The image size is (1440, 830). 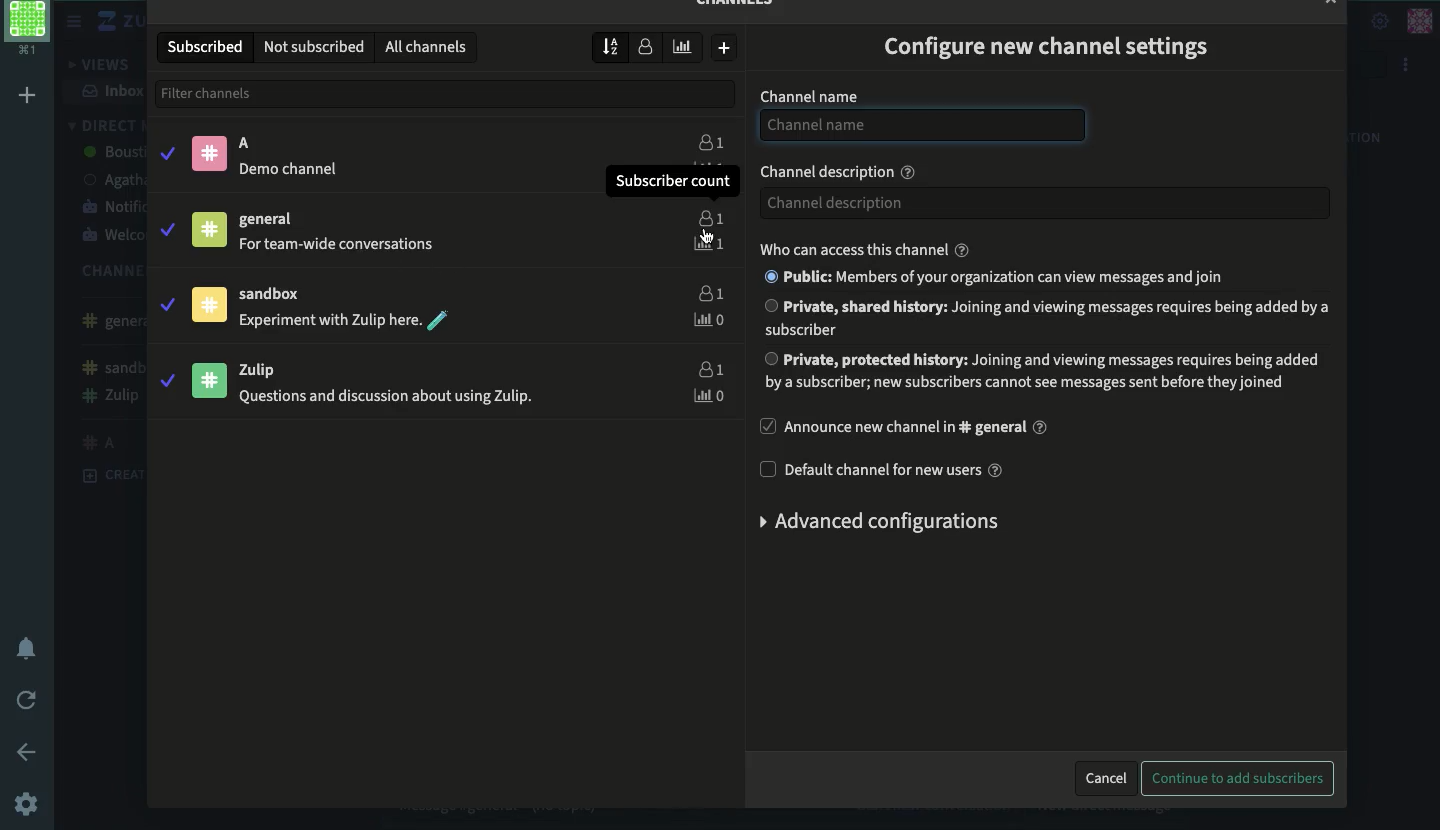 I want to click on channel name, so click(x=814, y=99).